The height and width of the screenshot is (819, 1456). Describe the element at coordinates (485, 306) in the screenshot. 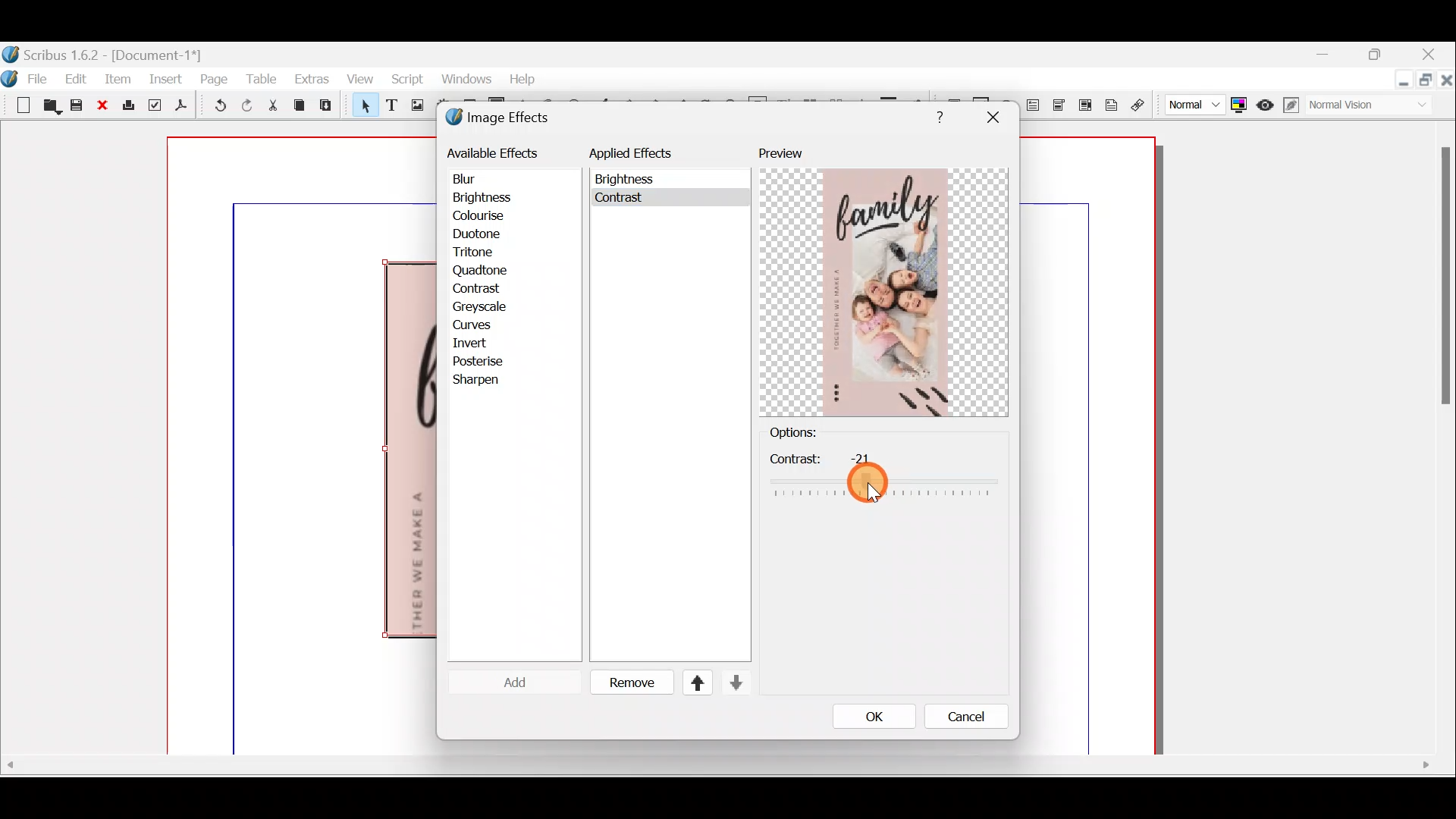

I see `Greyscale` at that location.